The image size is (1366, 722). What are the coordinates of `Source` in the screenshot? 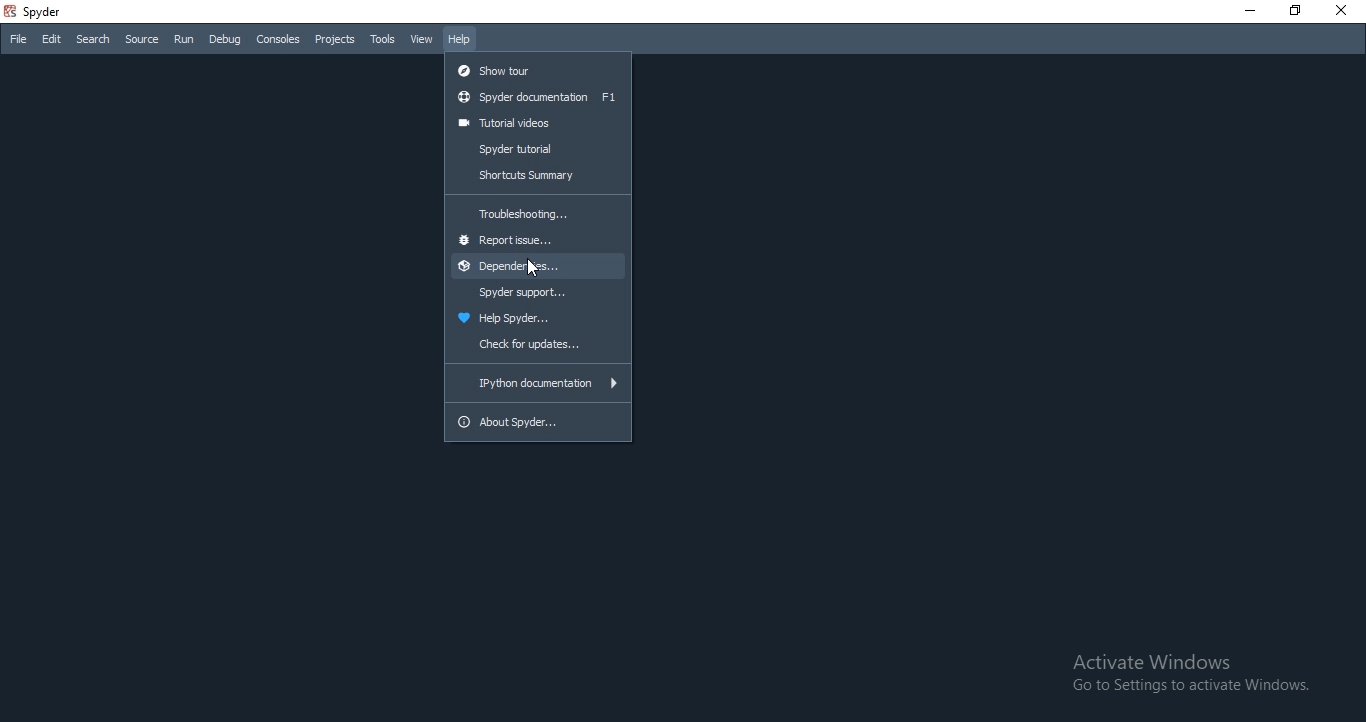 It's located at (141, 41).